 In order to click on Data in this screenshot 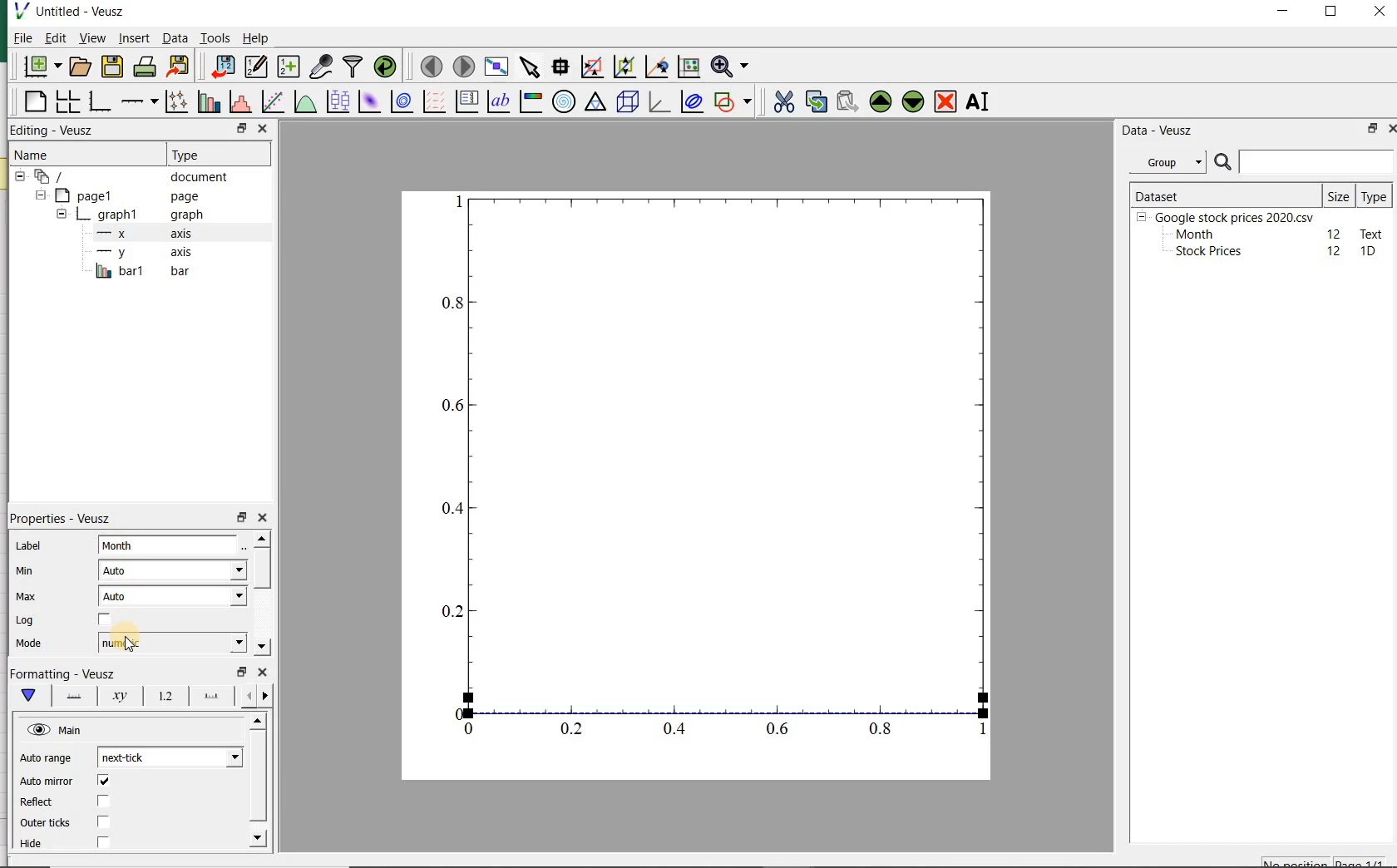, I will do `click(175, 40)`.